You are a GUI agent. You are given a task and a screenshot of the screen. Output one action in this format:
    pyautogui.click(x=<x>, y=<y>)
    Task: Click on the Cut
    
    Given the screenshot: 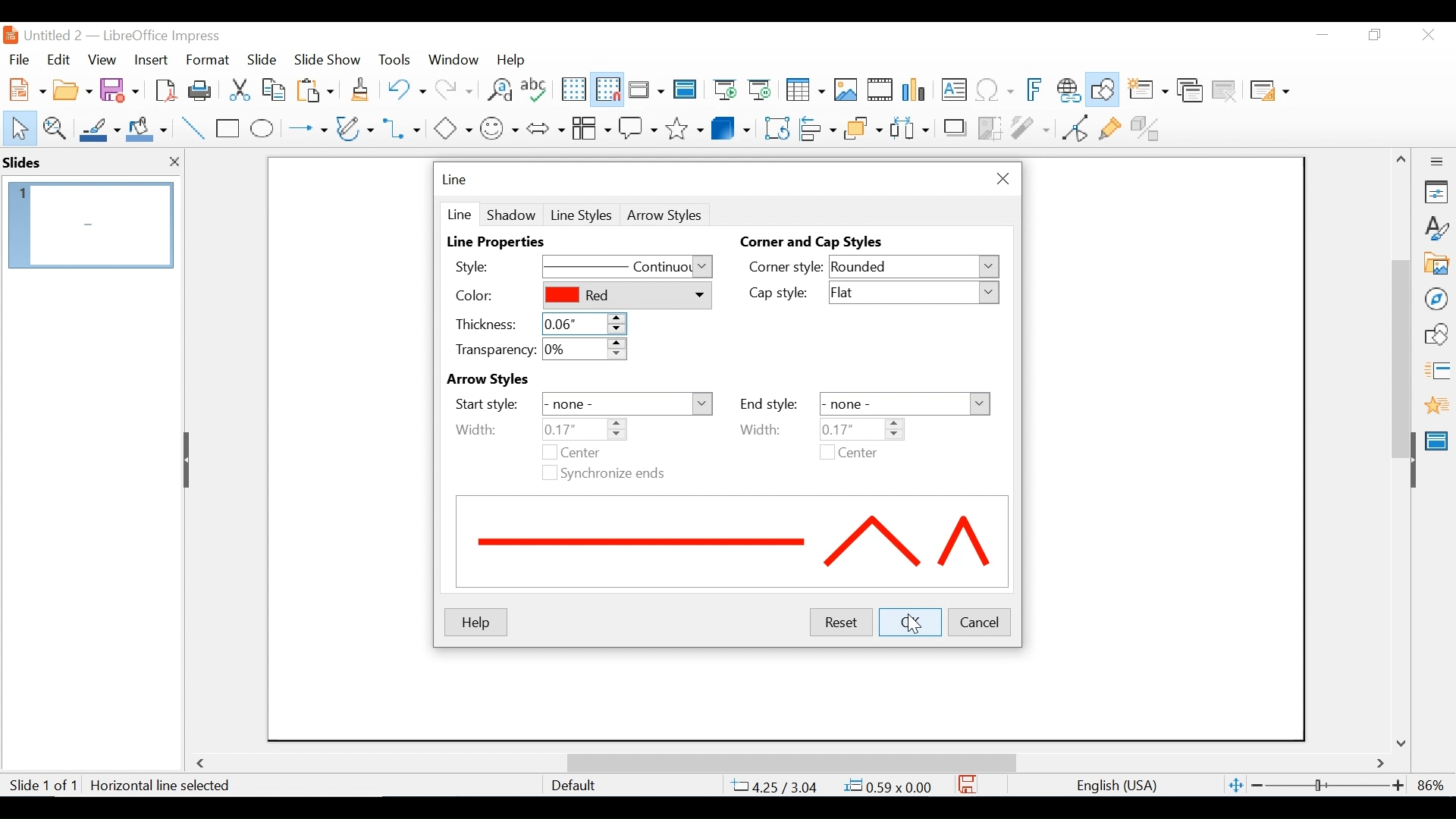 What is the action you would take?
    pyautogui.click(x=238, y=89)
    